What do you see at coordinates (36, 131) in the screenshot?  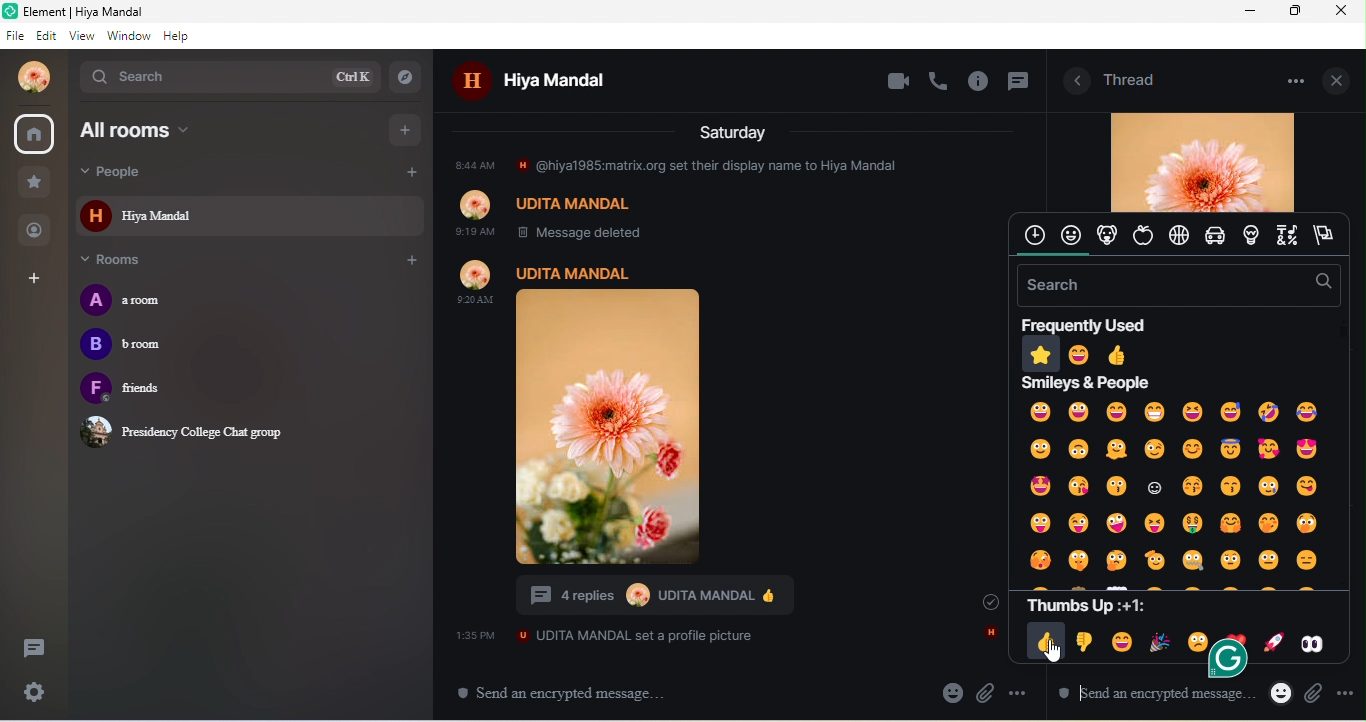 I see `all rooms` at bounding box center [36, 131].